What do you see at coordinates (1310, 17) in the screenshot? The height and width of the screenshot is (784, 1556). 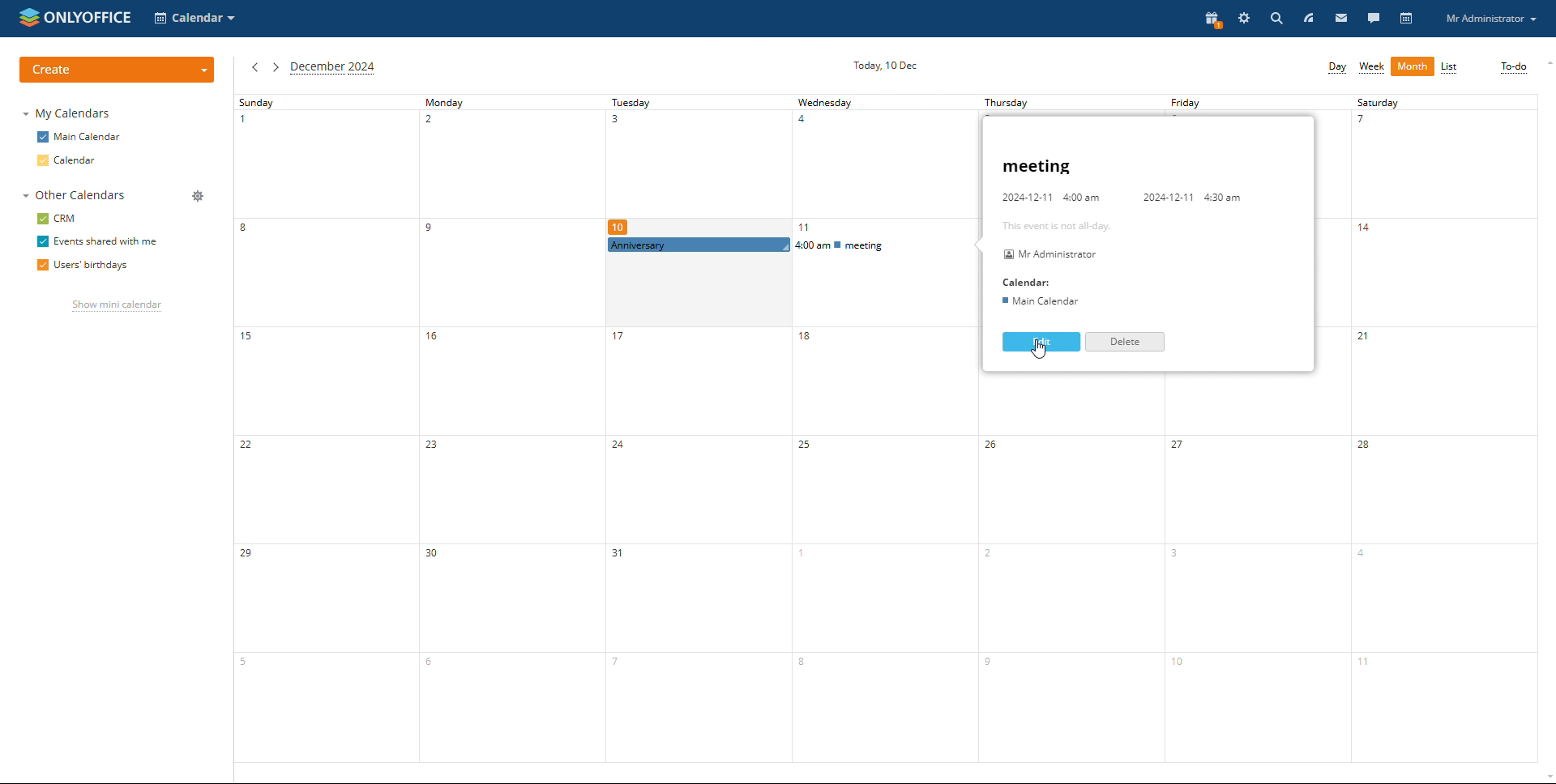 I see `feed` at bounding box center [1310, 17].